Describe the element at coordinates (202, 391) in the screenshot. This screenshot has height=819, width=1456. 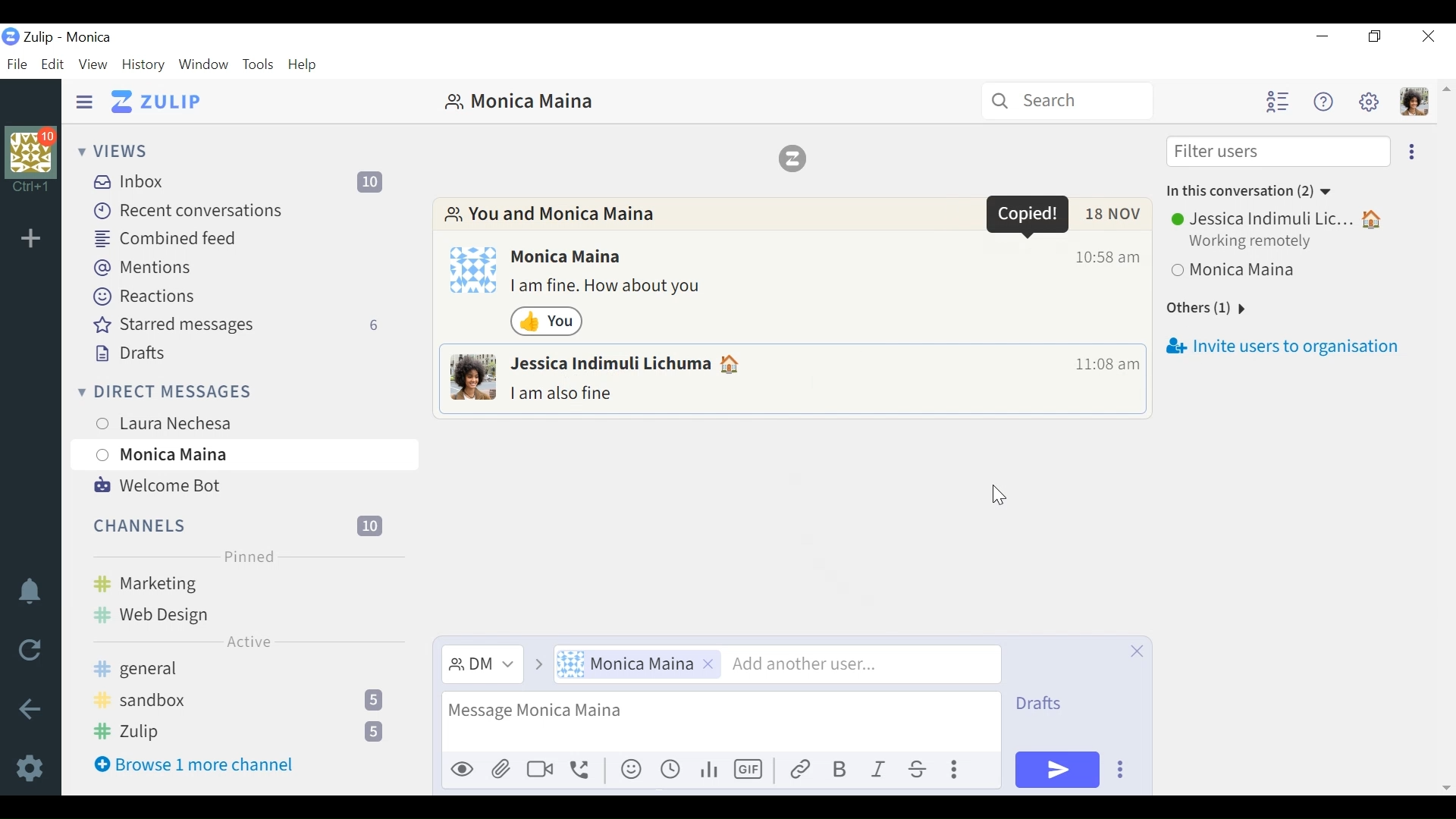
I see `Direct messages` at that location.